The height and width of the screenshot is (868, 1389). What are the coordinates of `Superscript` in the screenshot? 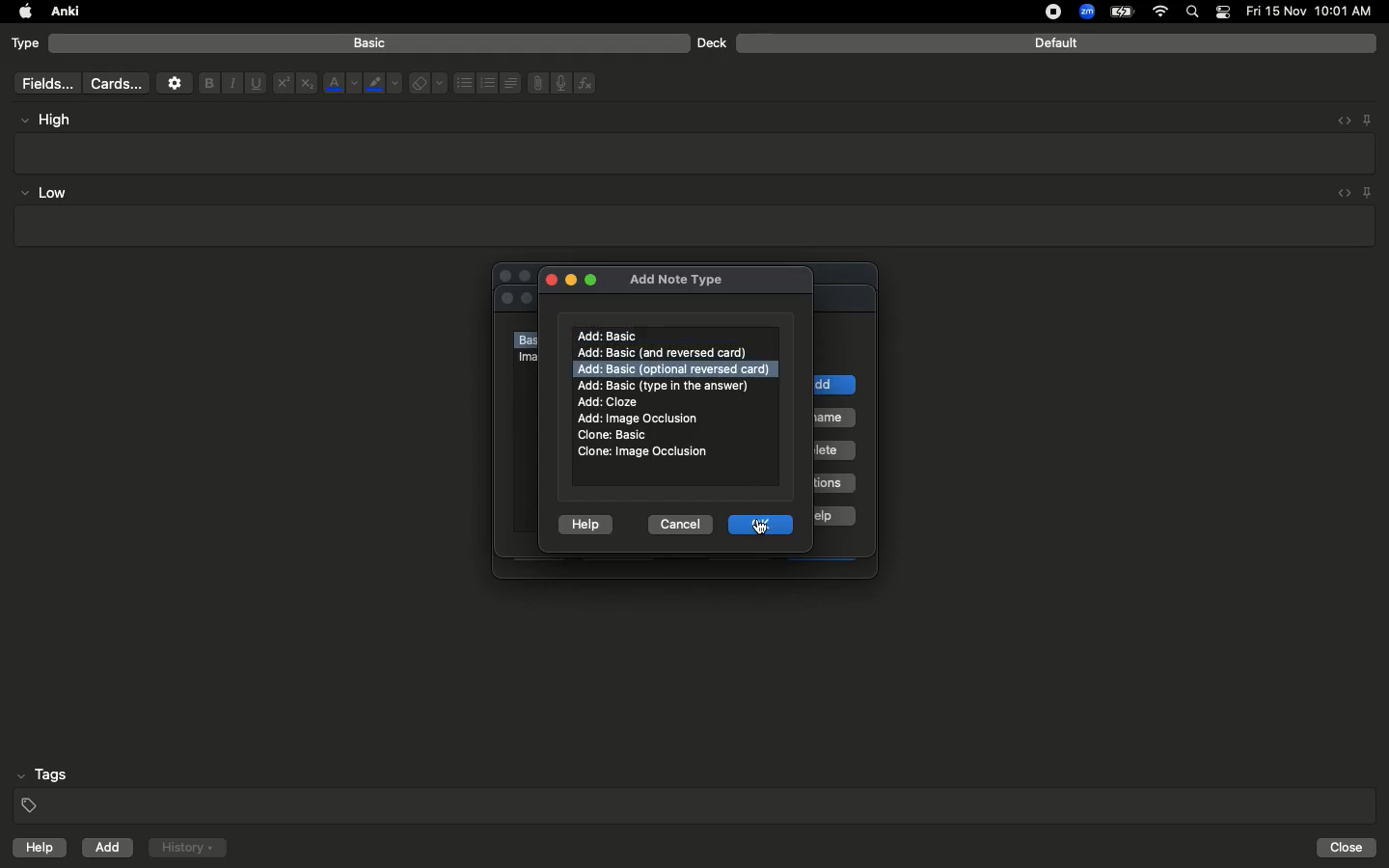 It's located at (282, 84).